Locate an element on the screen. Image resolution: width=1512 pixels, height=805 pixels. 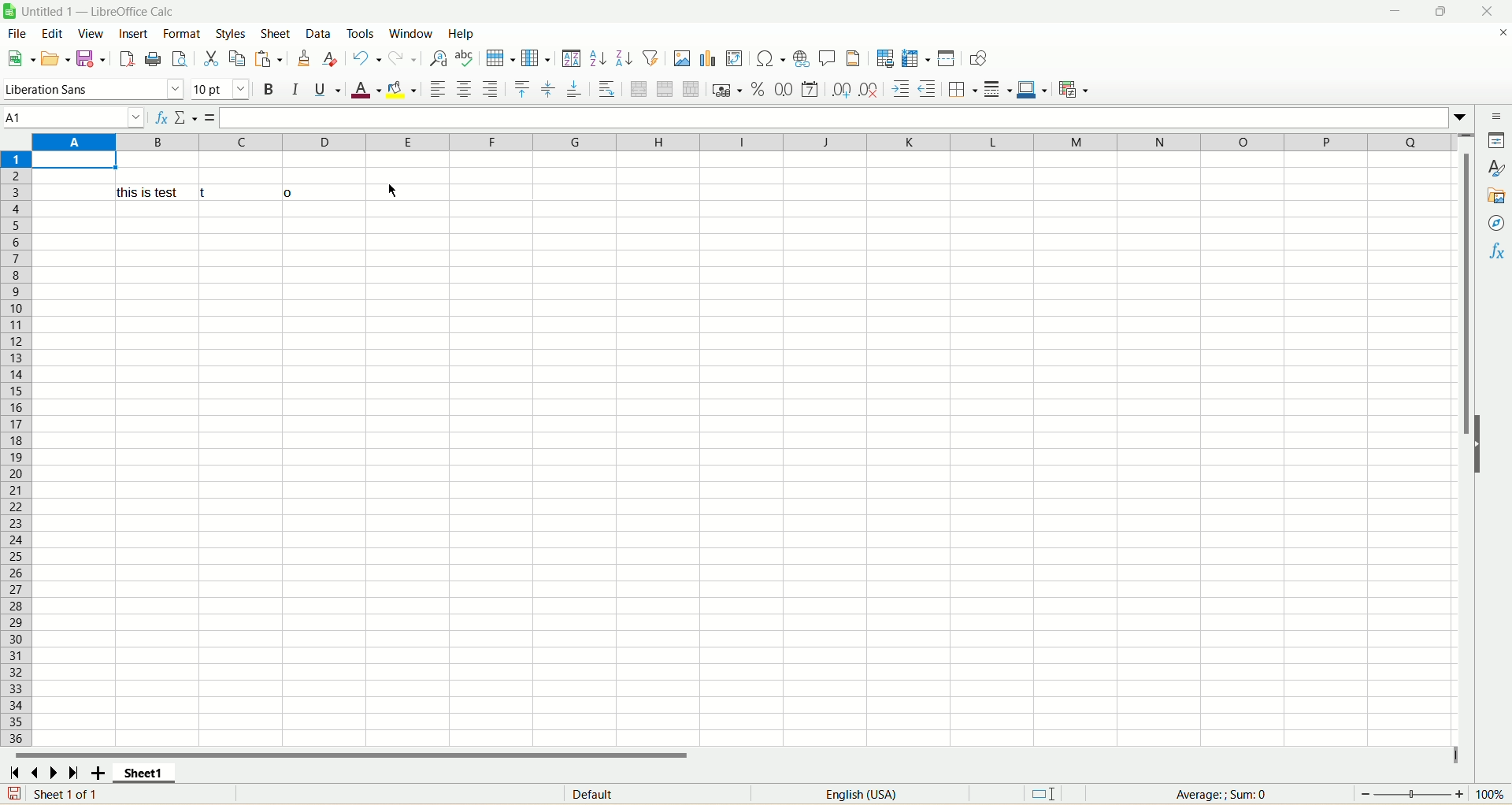
insert is located at coordinates (132, 33).